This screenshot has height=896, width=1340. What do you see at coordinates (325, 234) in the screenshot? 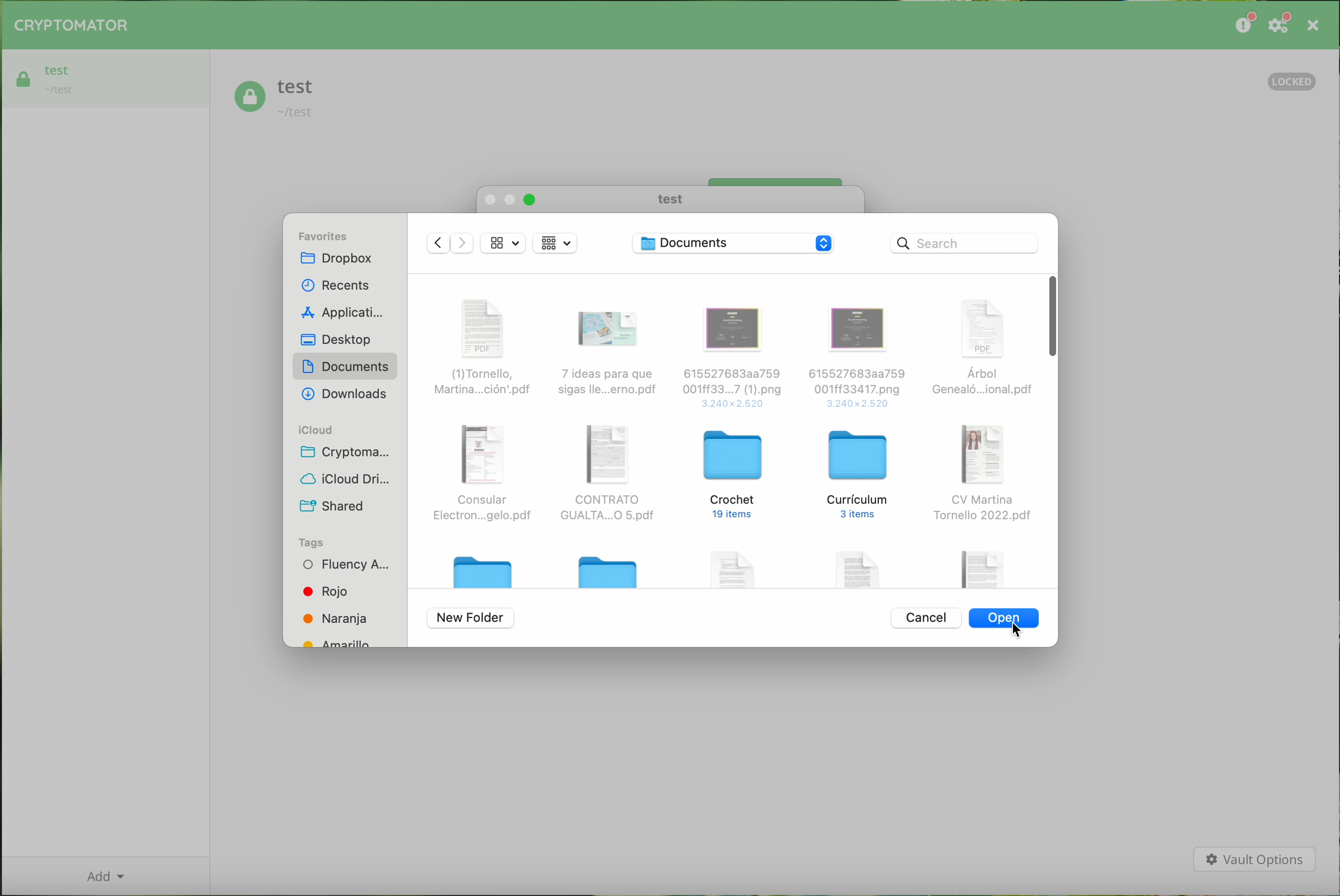
I see `favorites` at bounding box center [325, 234].